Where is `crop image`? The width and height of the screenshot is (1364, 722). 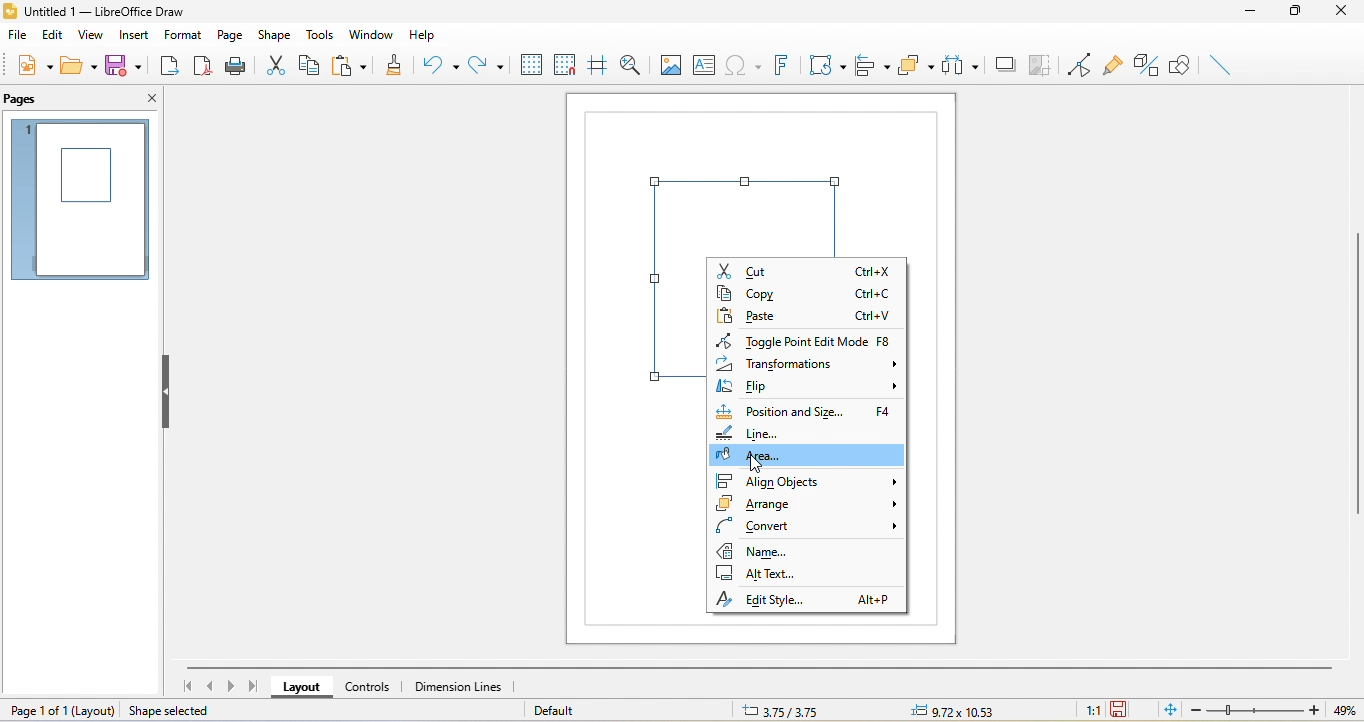
crop image is located at coordinates (1041, 66).